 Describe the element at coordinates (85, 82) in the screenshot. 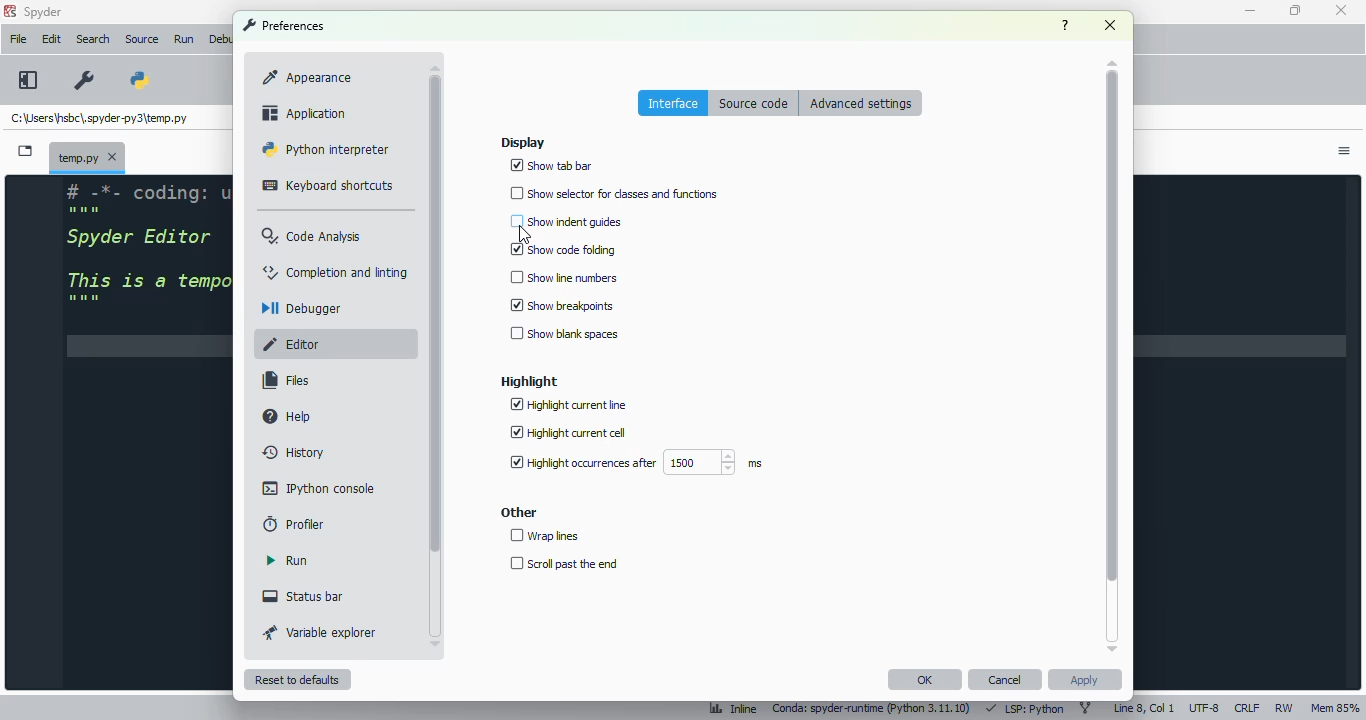

I see `preferences` at that location.